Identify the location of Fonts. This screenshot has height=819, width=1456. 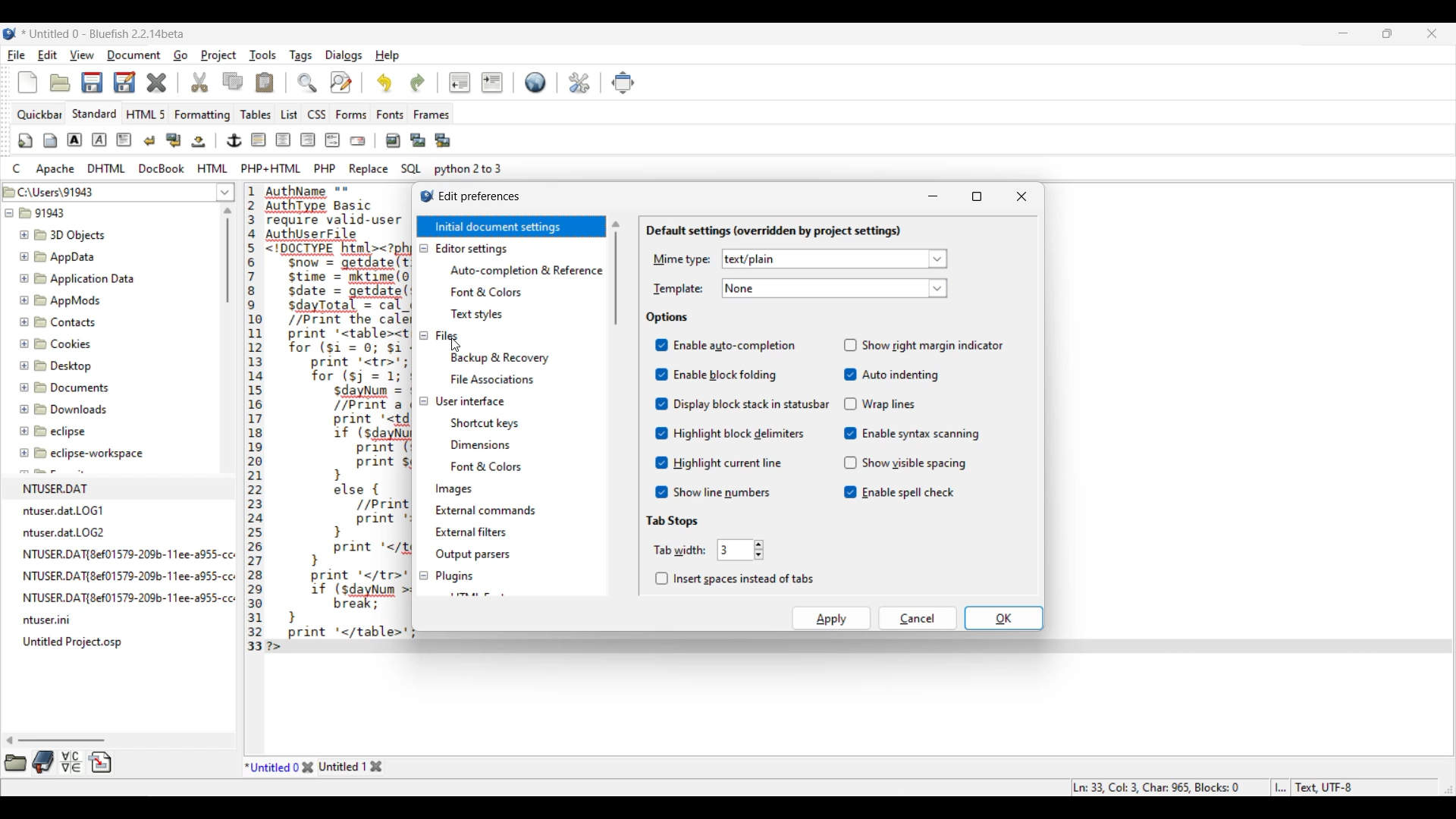
(391, 115).